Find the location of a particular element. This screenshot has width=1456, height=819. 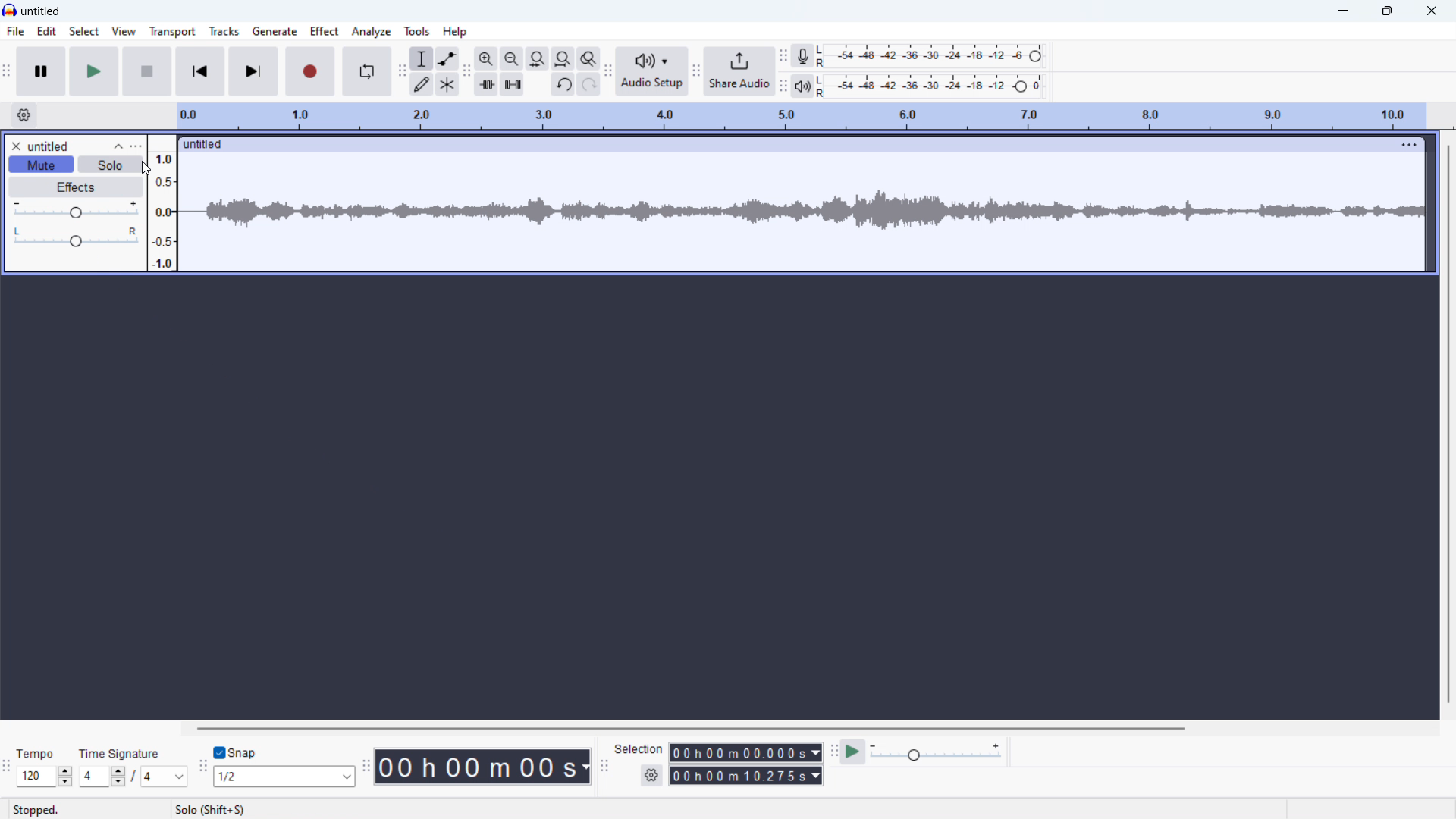

recording level is located at coordinates (930, 56).